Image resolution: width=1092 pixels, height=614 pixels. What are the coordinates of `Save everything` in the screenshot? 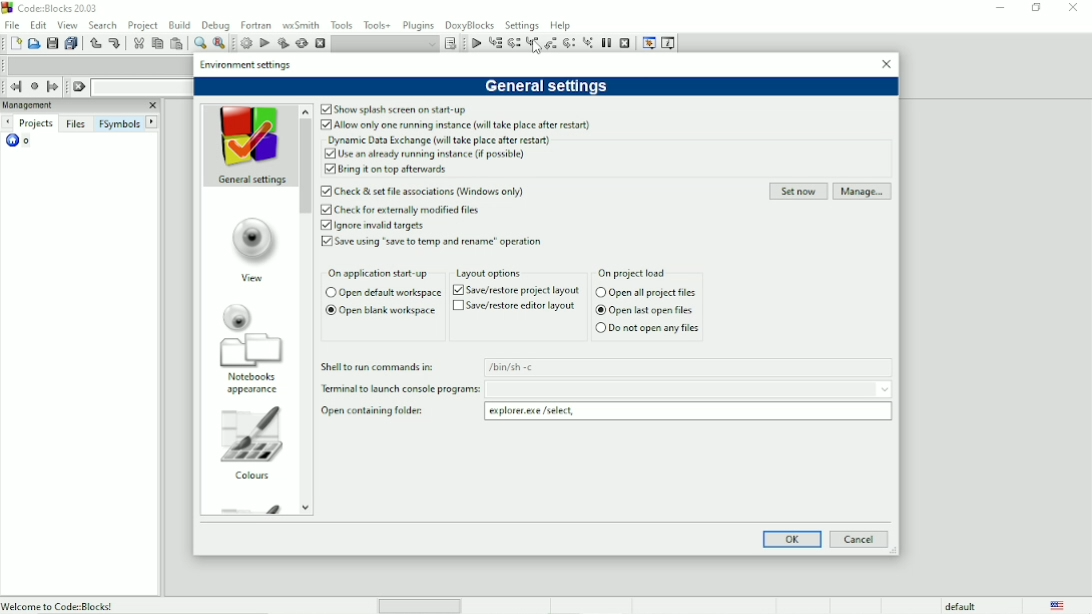 It's located at (70, 44).